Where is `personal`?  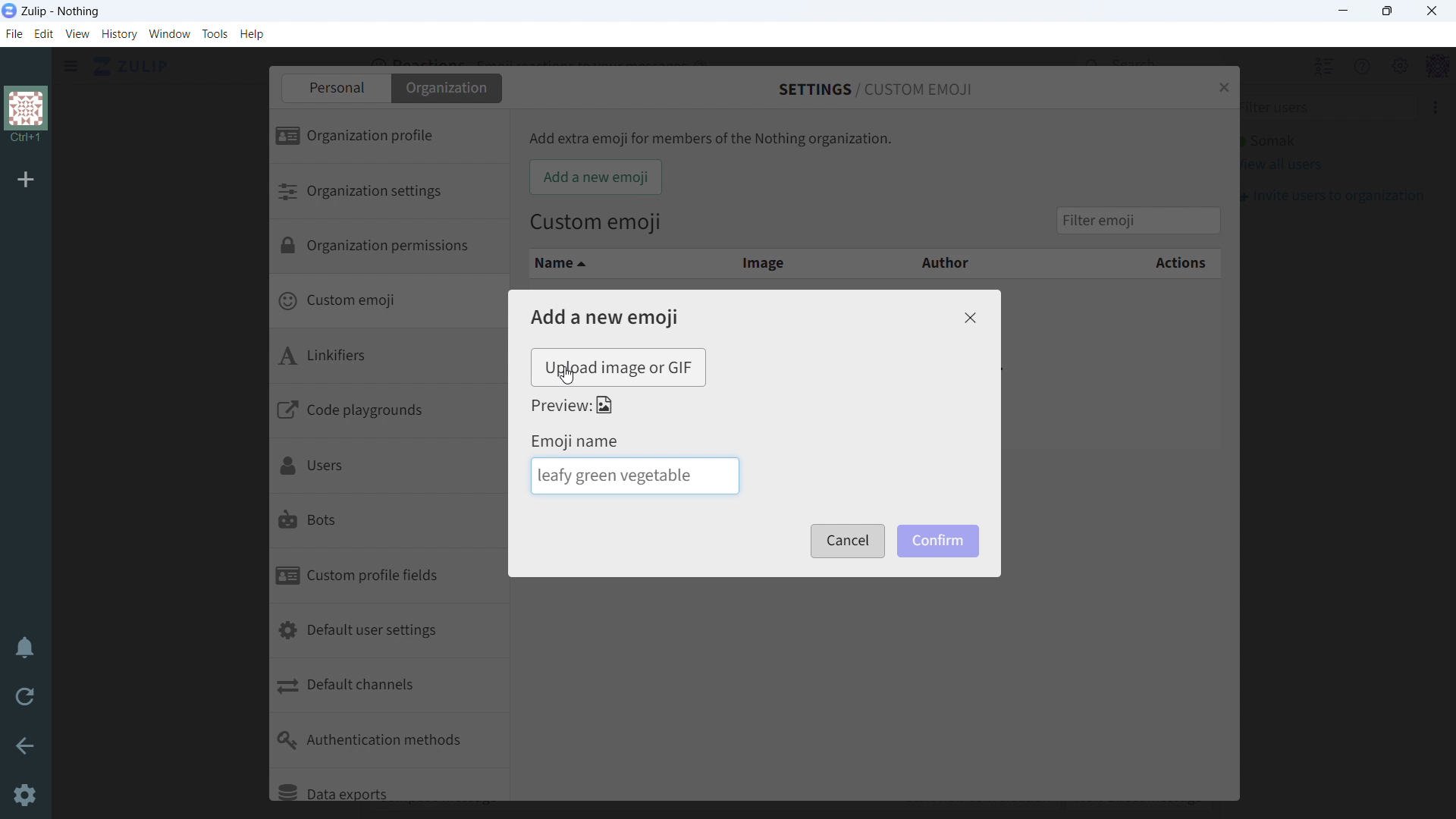 personal is located at coordinates (334, 88).